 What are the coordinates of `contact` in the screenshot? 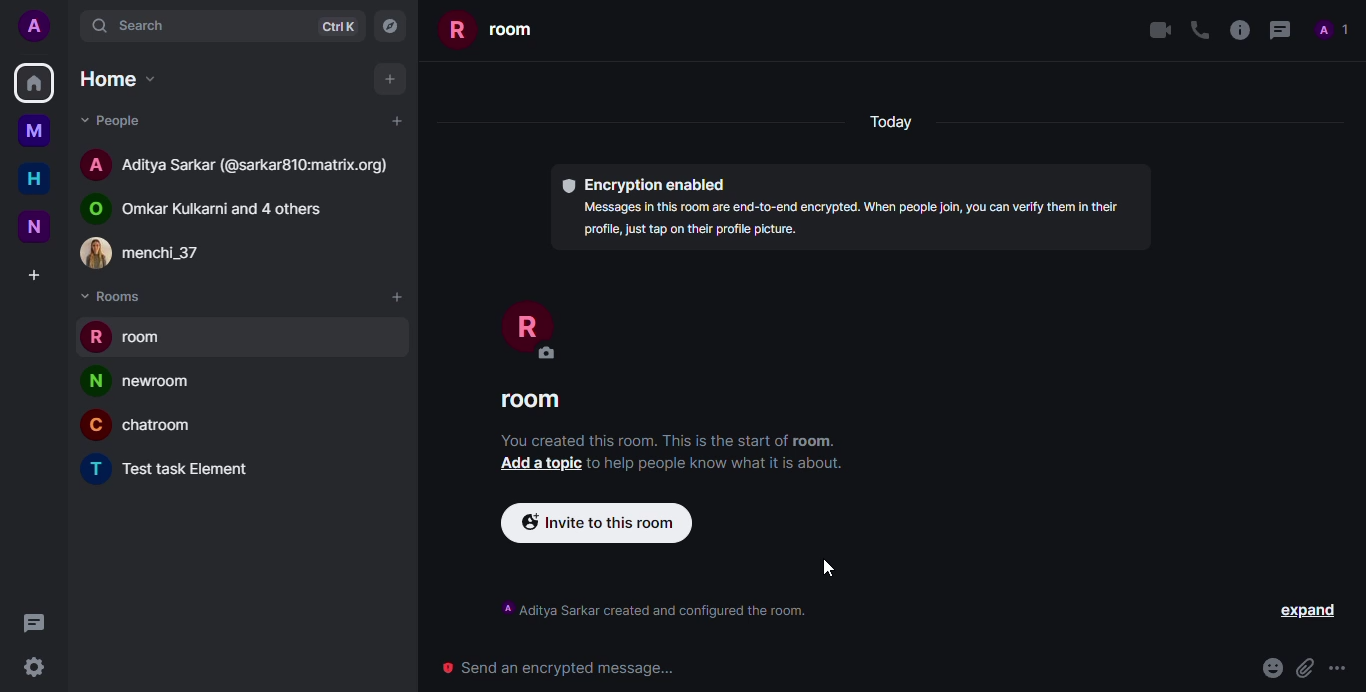 It's located at (156, 255).